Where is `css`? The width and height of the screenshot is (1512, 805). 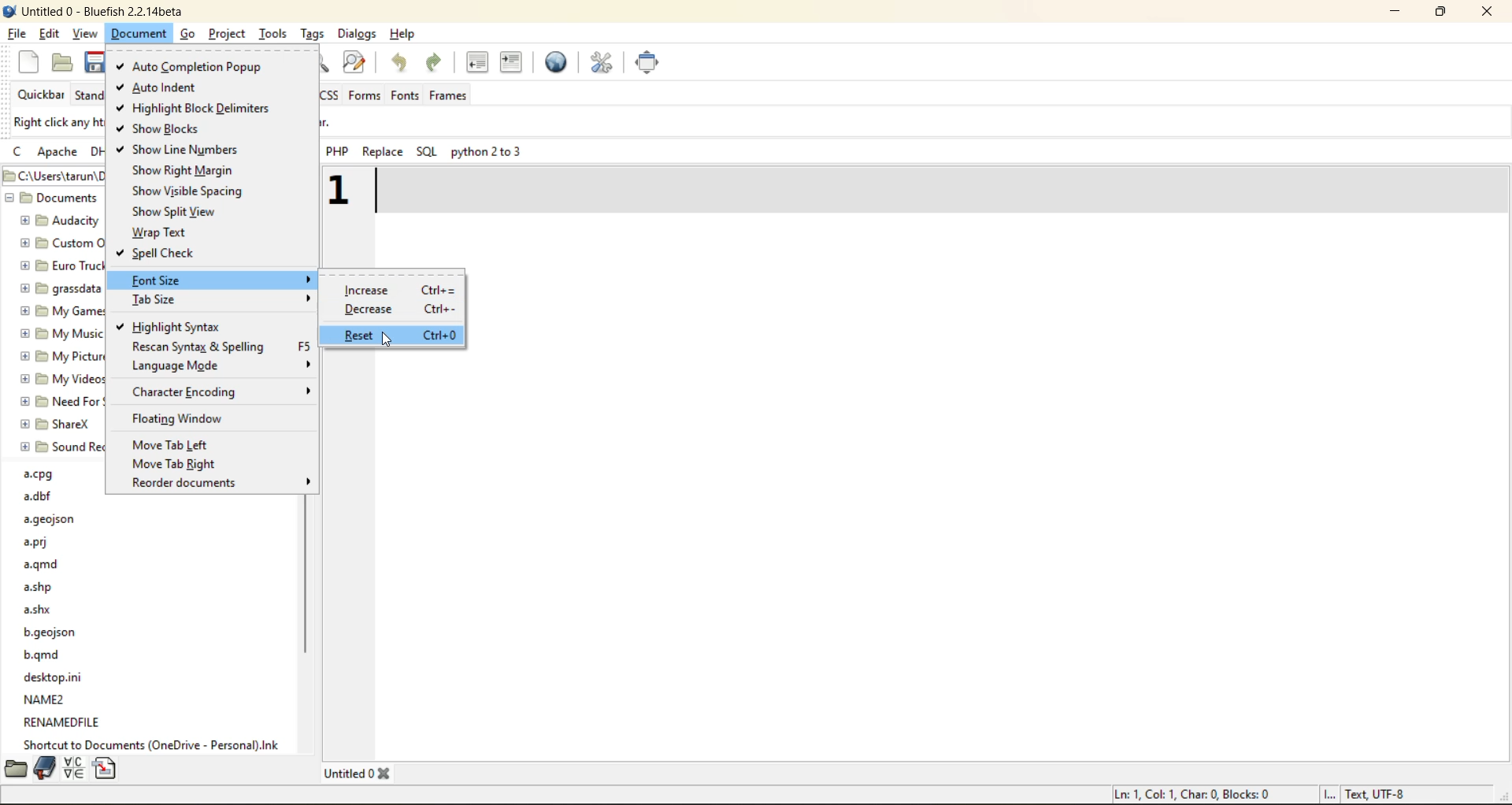 css is located at coordinates (331, 95).